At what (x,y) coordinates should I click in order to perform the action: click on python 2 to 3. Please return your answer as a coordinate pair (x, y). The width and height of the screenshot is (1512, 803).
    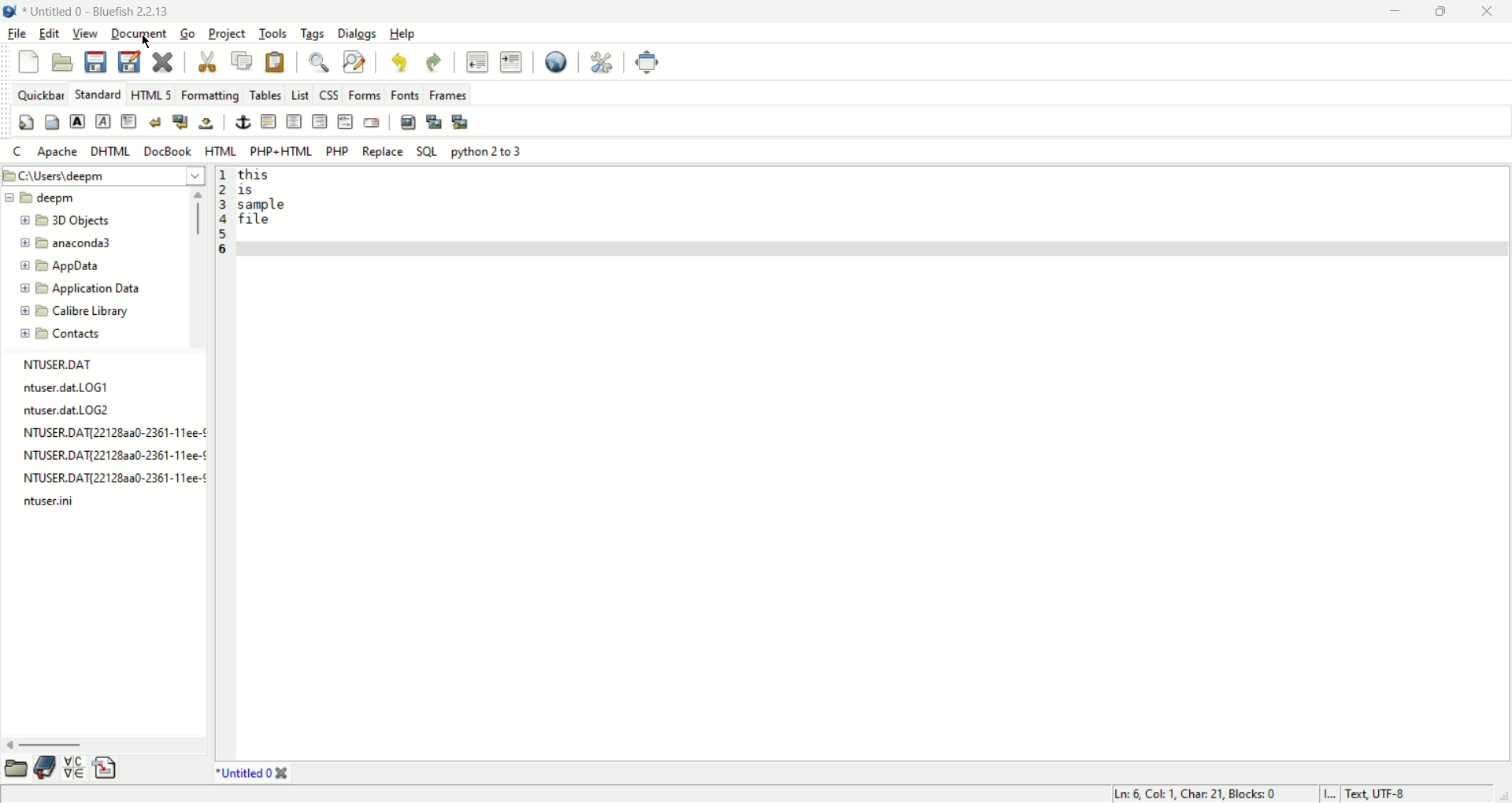
    Looking at the image, I should click on (487, 151).